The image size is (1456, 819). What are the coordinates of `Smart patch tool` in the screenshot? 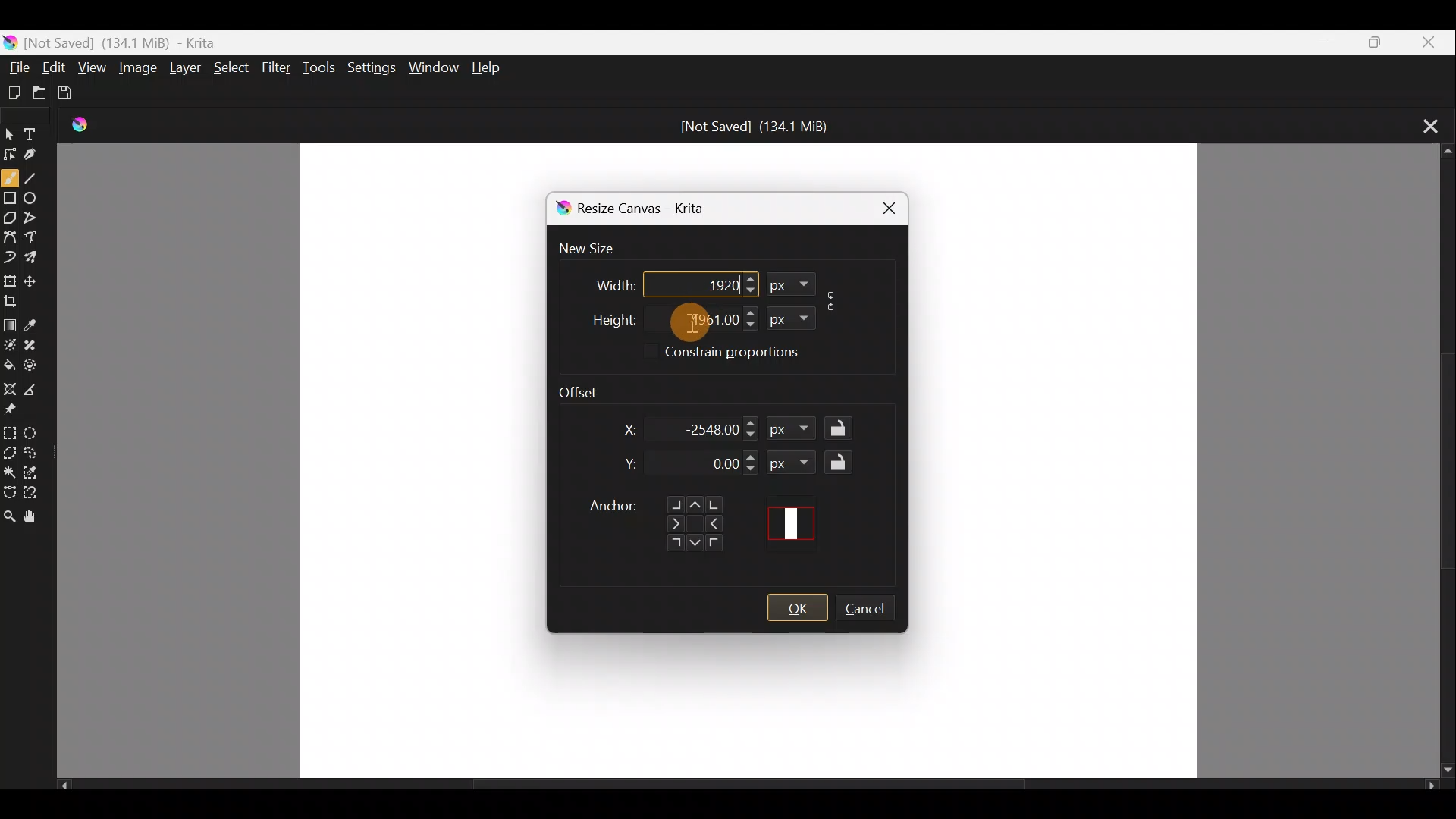 It's located at (36, 343).